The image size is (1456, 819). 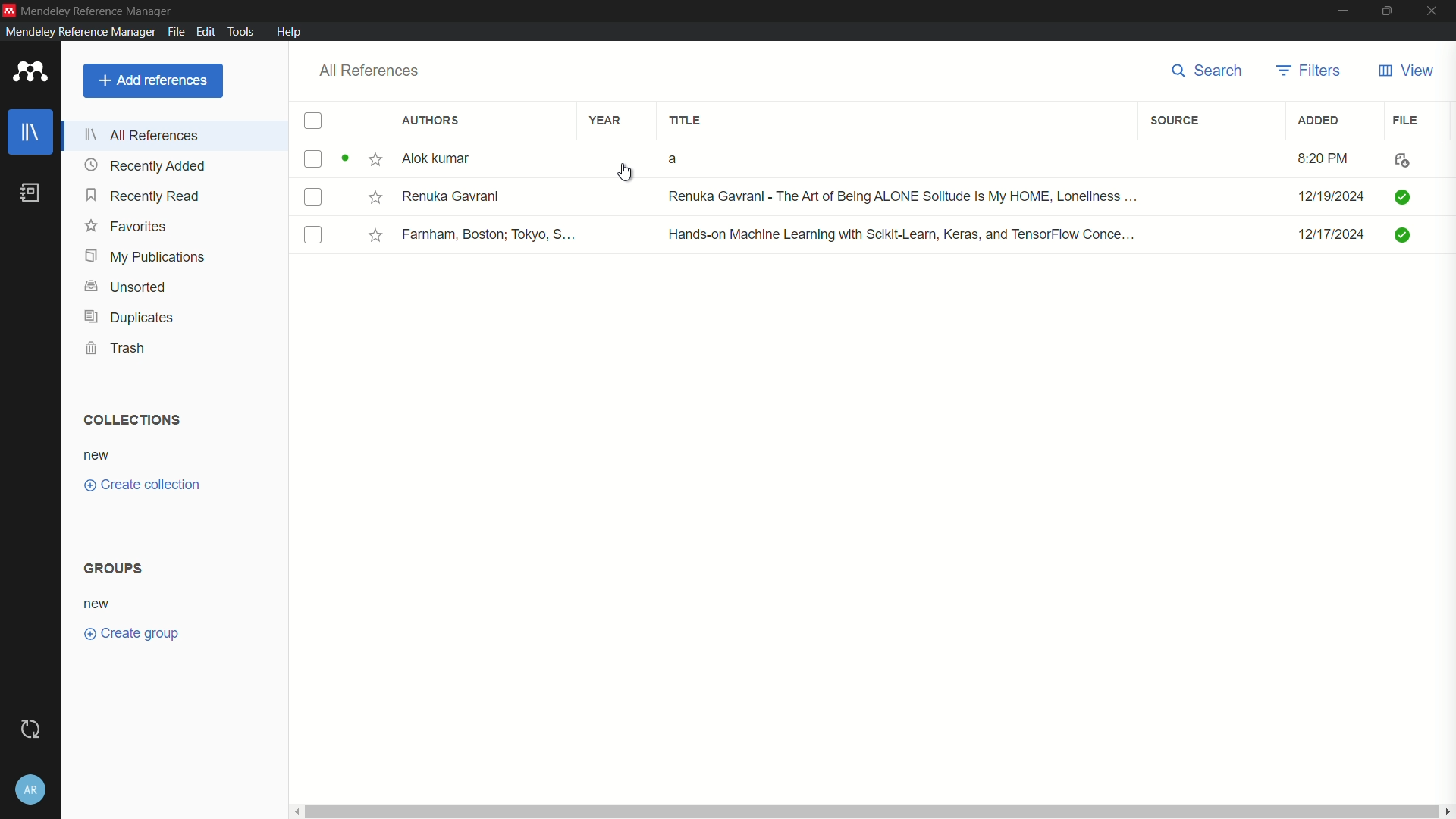 What do you see at coordinates (1208, 71) in the screenshot?
I see `search` at bounding box center [1208, 71].